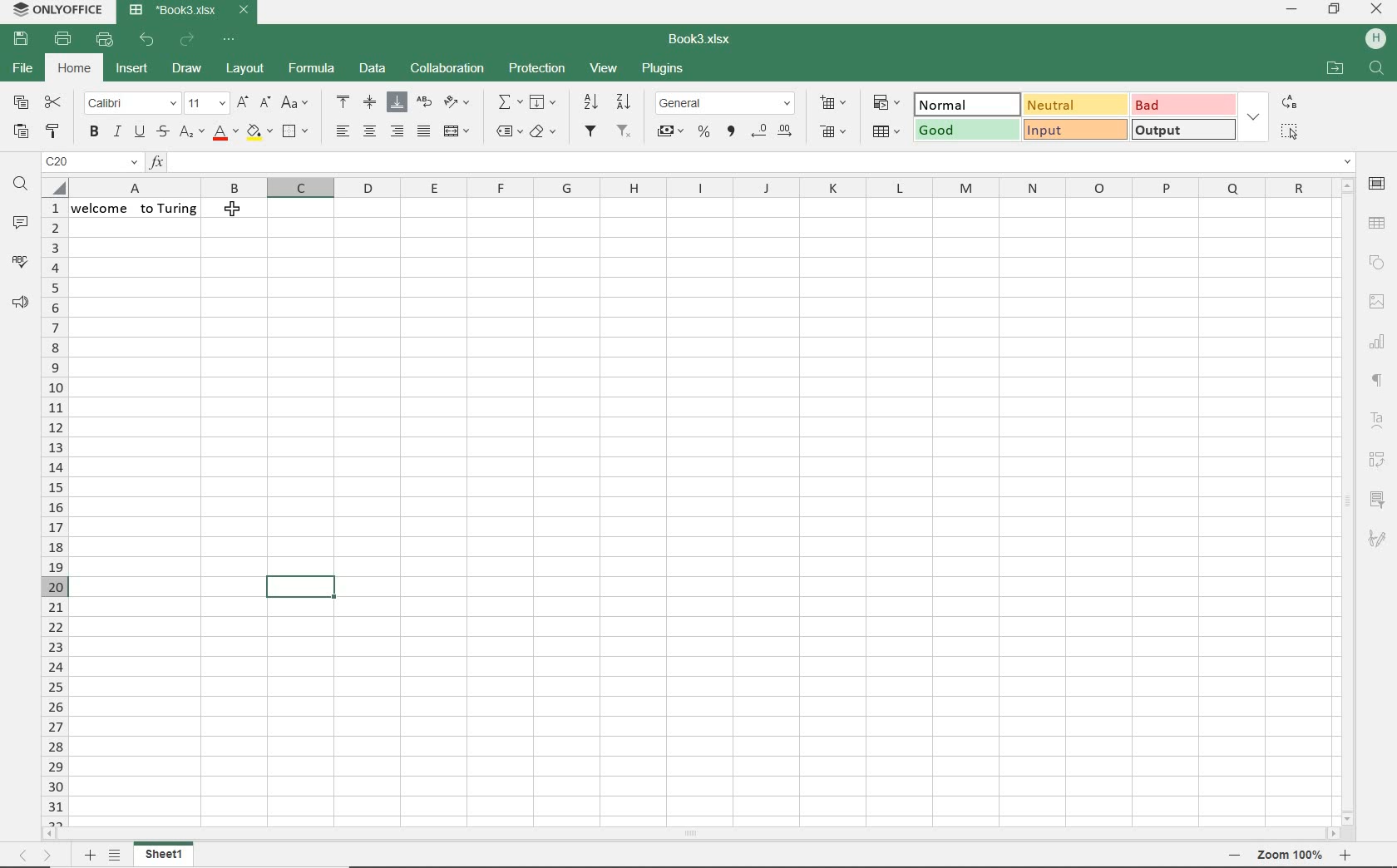  I want to click on named ranges, so click(507, 133).